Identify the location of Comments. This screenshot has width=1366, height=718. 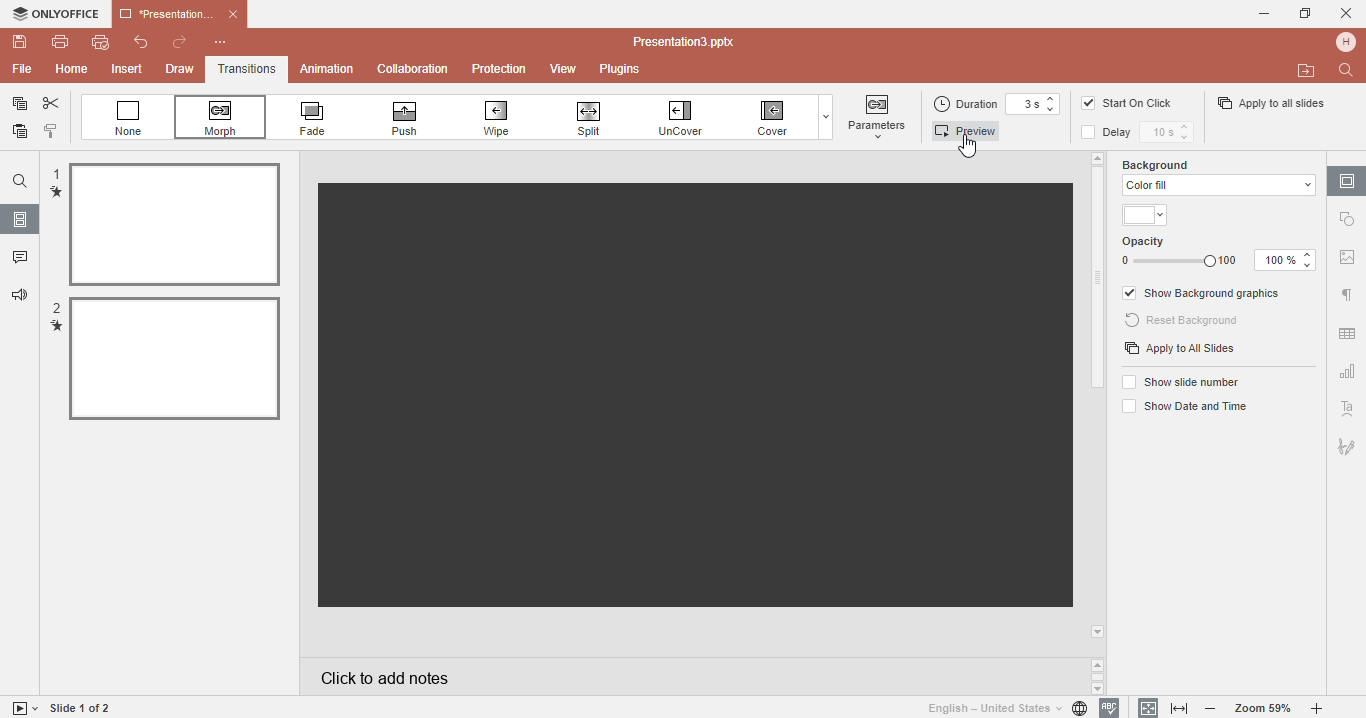
(19, 259).